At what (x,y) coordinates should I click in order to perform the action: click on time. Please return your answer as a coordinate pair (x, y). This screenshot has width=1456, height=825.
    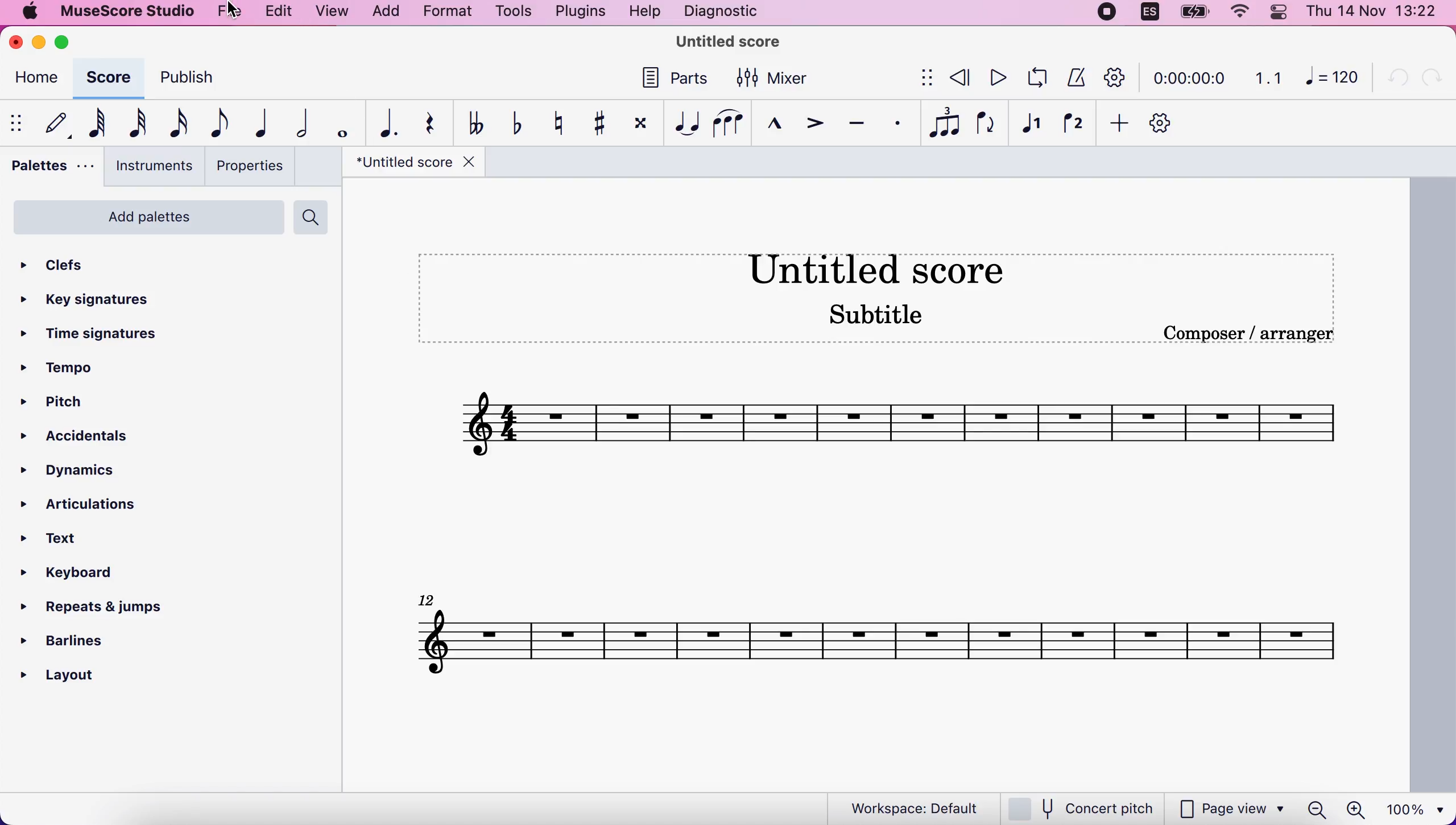
    Looking at the image, I should click on (1191, 77).